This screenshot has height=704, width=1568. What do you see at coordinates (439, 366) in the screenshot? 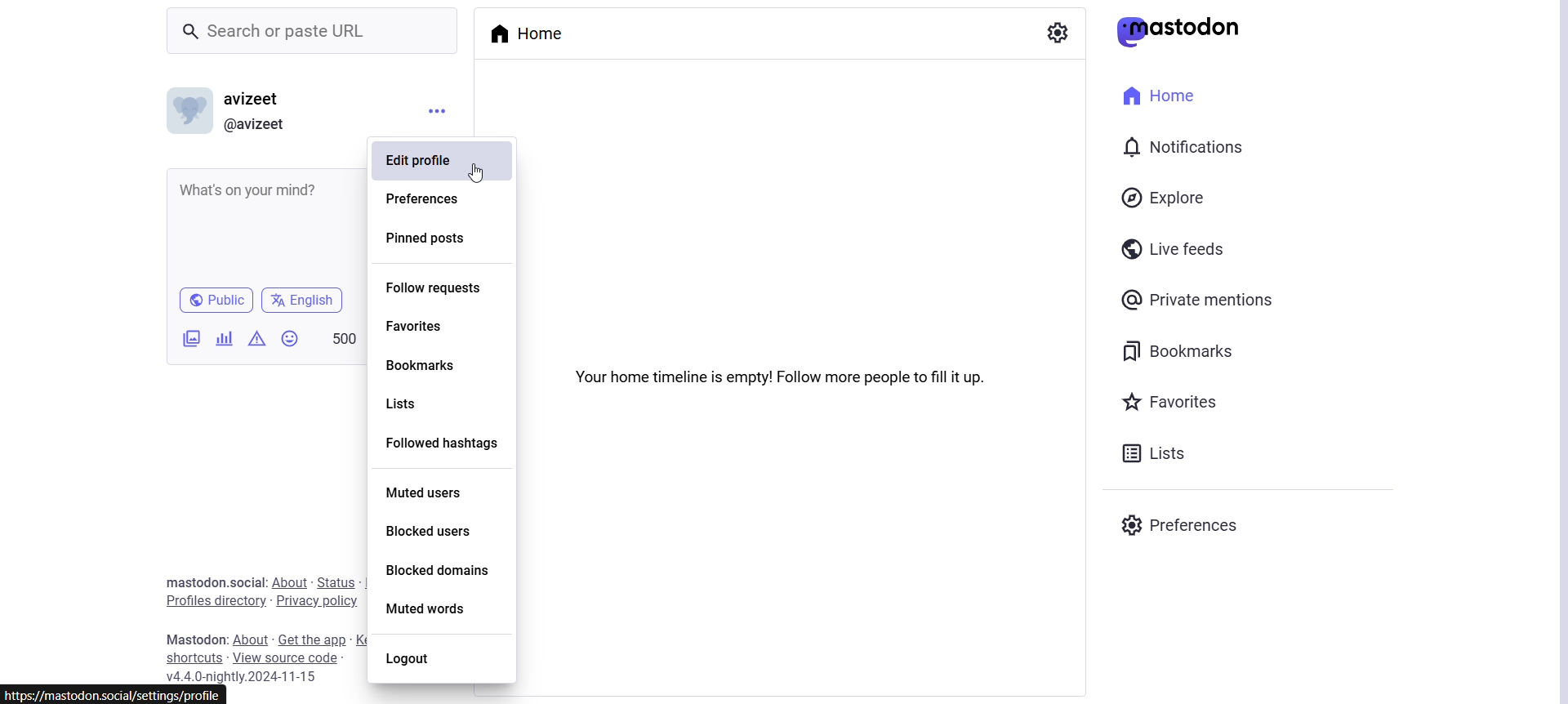
I see `Bookmarks` at bounding box center [439, 366].